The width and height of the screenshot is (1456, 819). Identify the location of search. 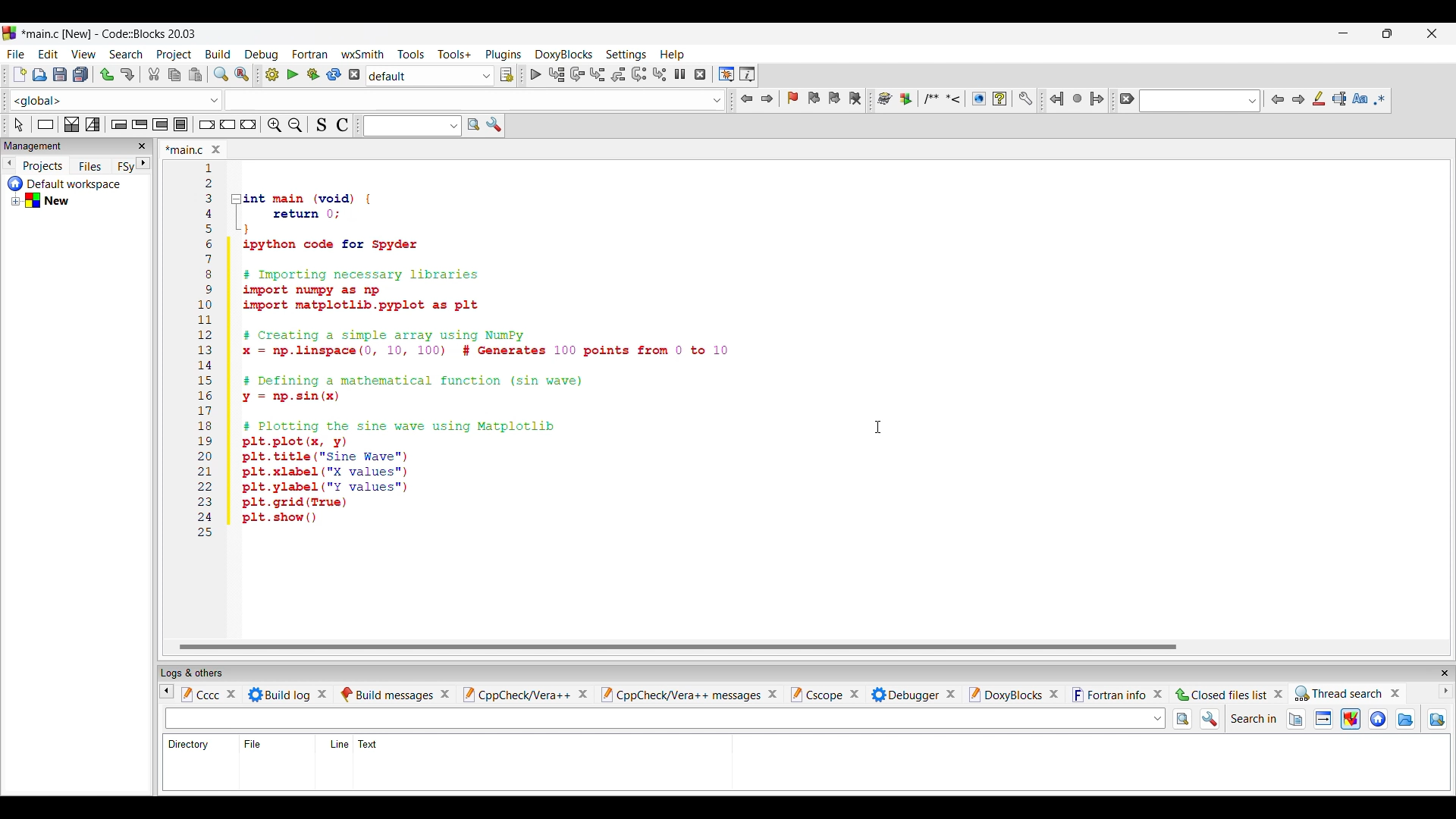
(1199, 102).